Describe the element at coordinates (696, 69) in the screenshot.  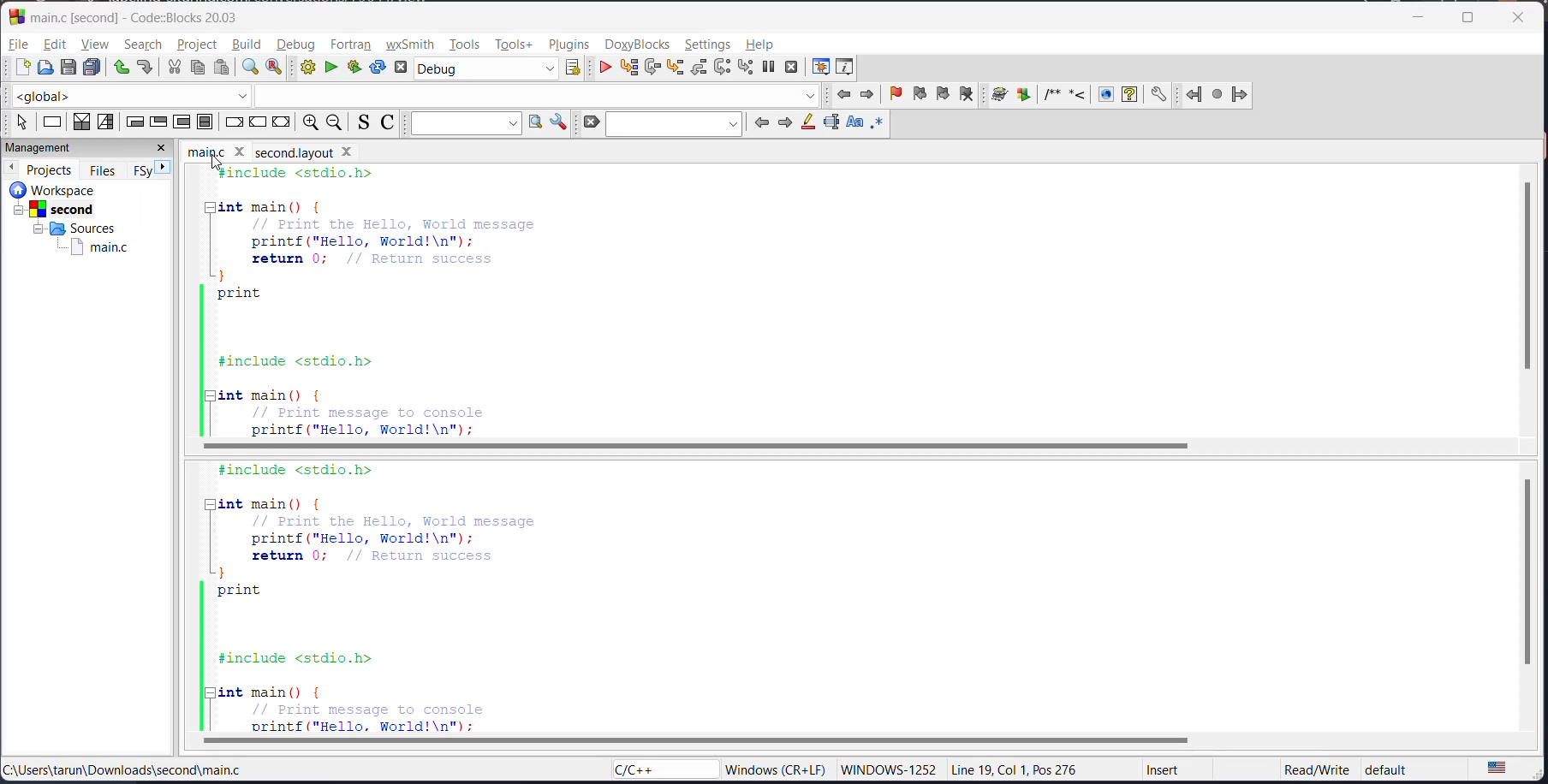
I see `step out` at that location.